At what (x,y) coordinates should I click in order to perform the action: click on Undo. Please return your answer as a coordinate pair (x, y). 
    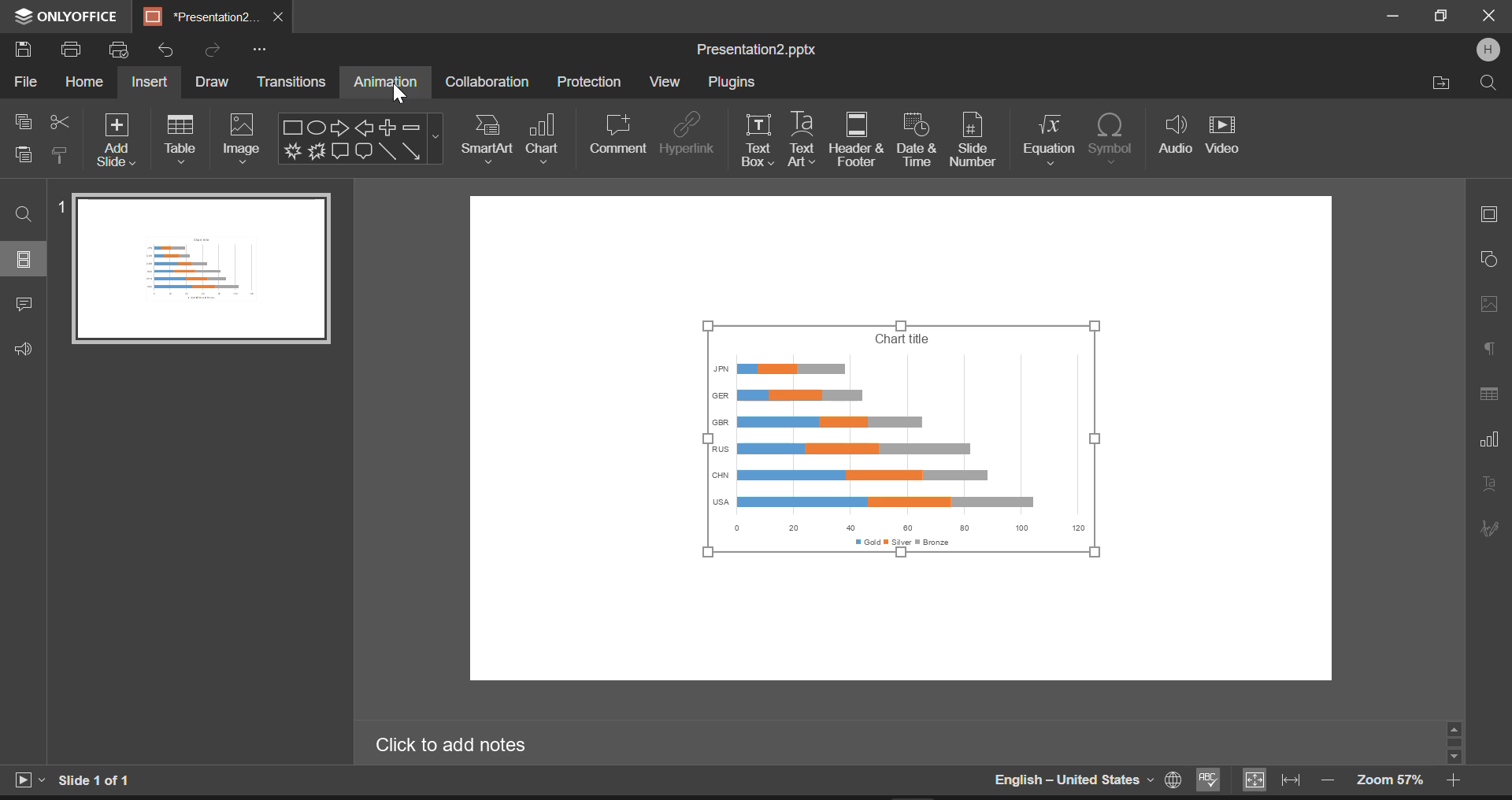
    Looking at the image, I should click on (166, 46).